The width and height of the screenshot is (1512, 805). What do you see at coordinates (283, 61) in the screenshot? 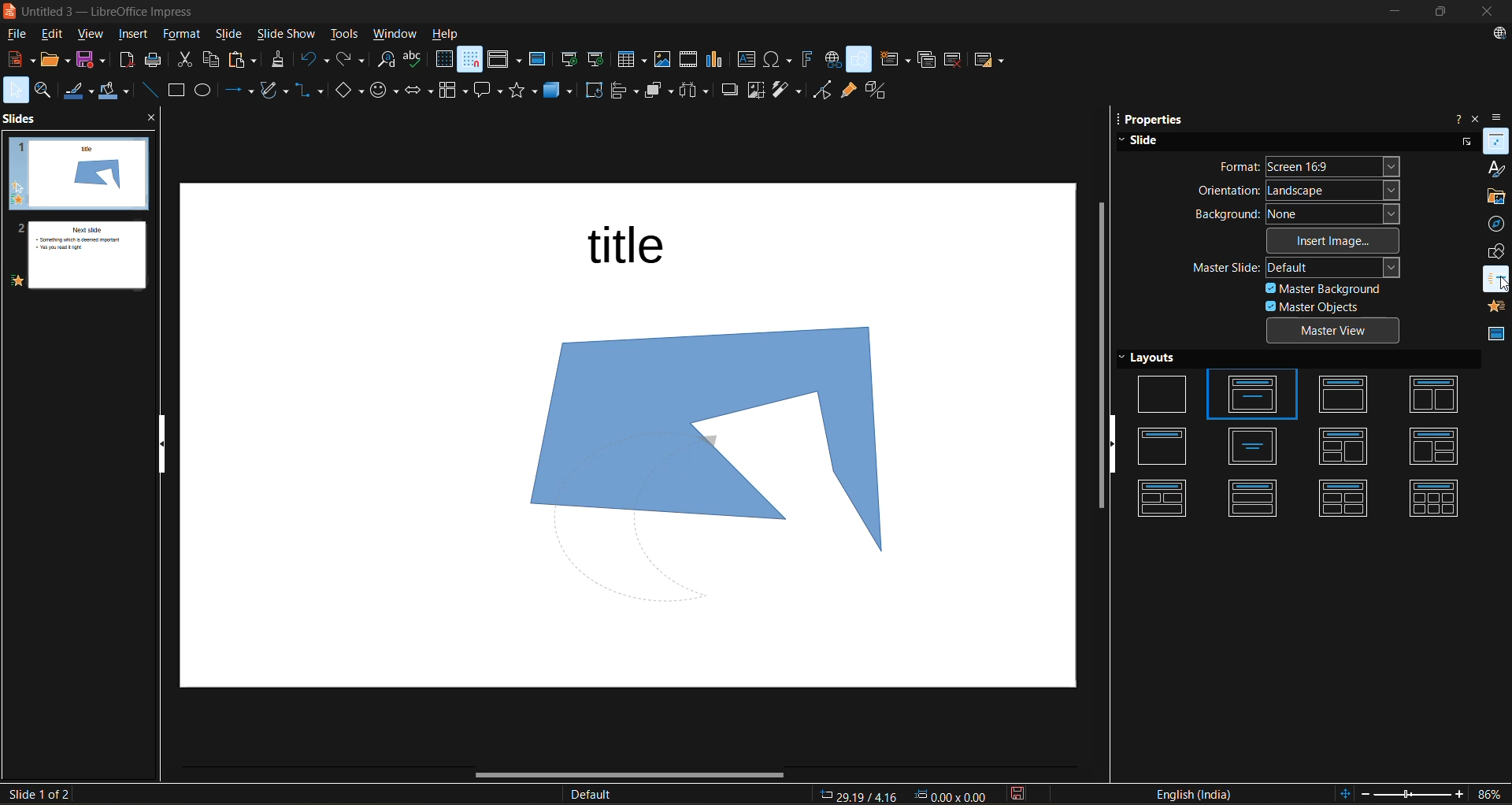
I see `clone formatting` at bounding box center [283, 61].